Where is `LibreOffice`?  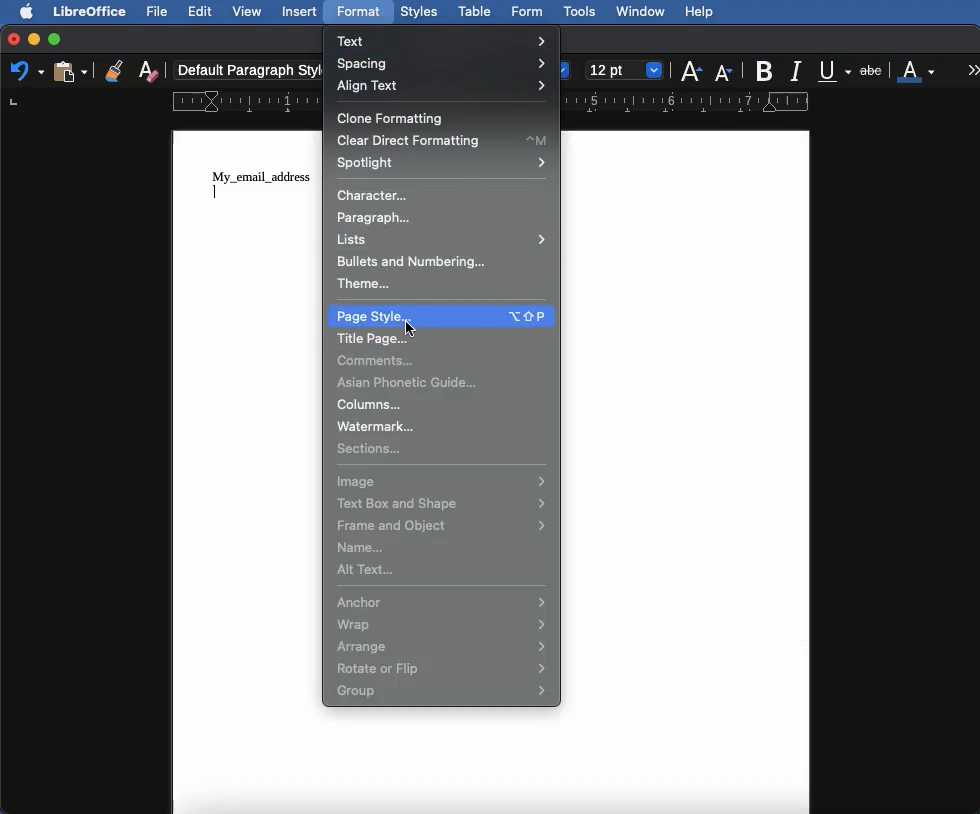 LibreOffice is located at coordinates (89, 11).